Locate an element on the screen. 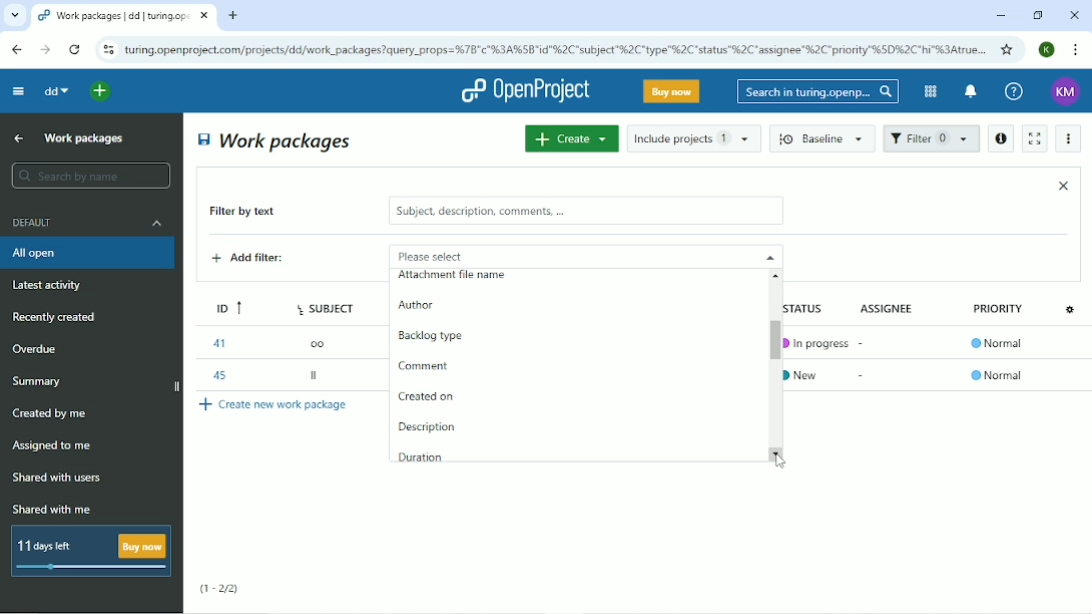 This screenshot has height=614, width=1092. Subject is located at coordinates (328, 305).